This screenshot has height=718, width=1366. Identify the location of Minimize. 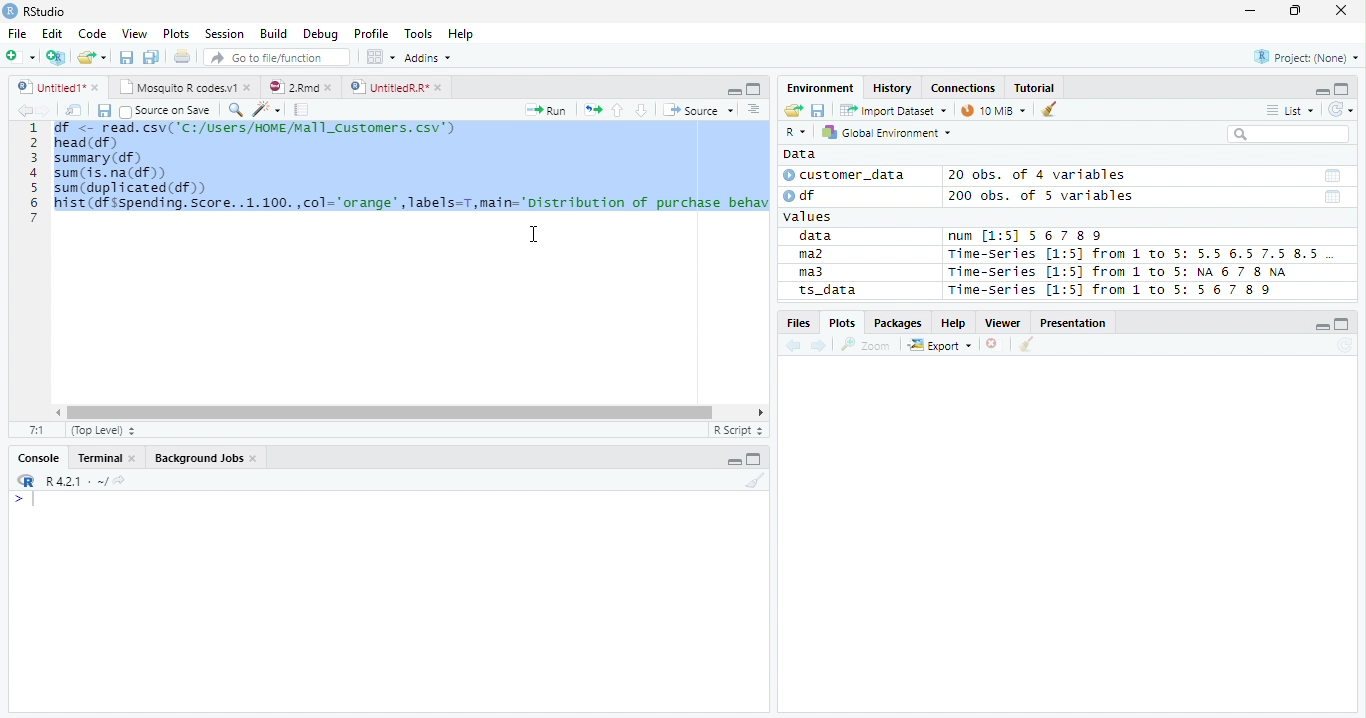
(1249, 13).